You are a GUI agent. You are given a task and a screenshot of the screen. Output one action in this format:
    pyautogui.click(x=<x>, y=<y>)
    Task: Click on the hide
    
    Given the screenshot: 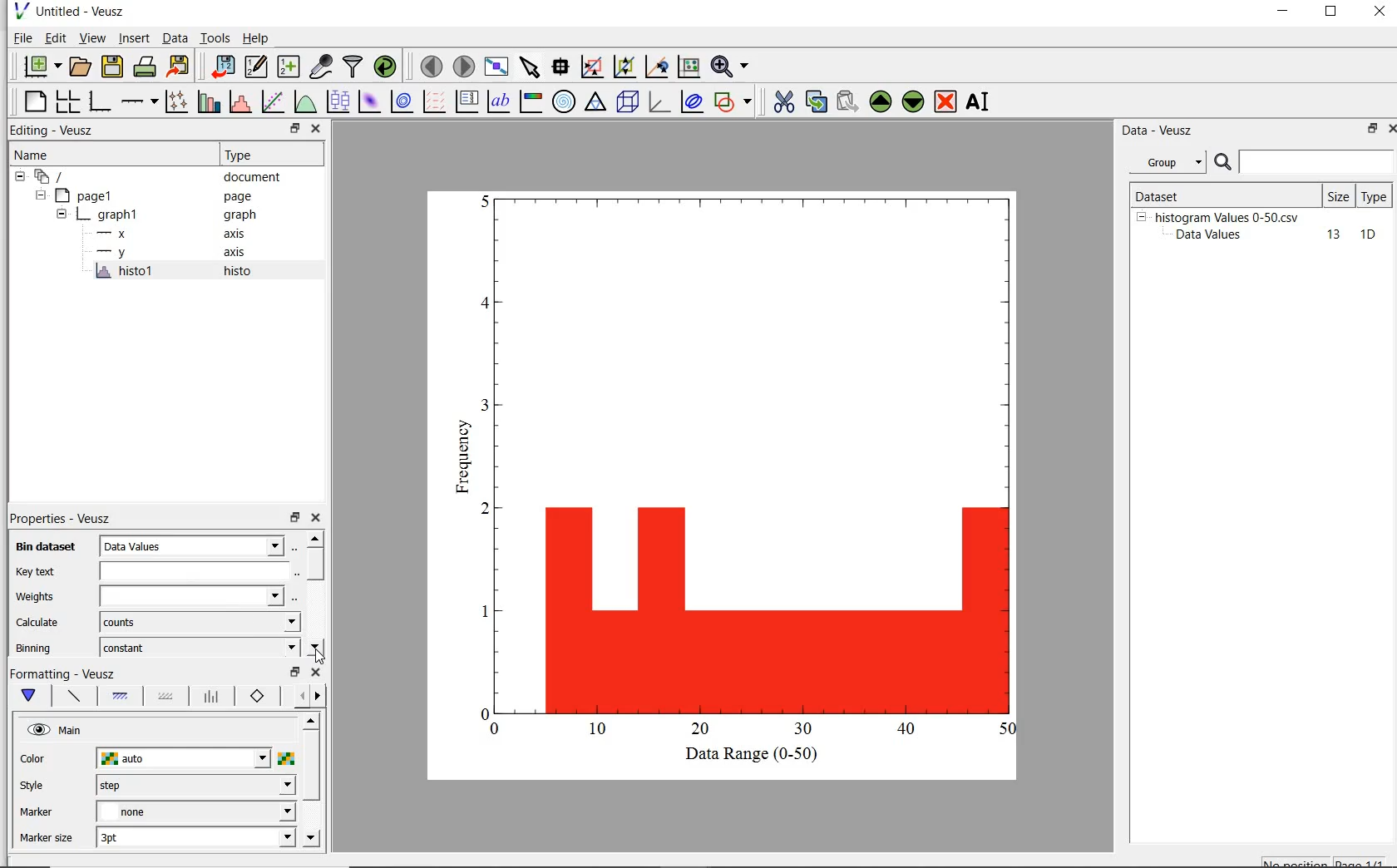 What is the action you would take?
    pyautogui.click(x=1141, y=216)
    